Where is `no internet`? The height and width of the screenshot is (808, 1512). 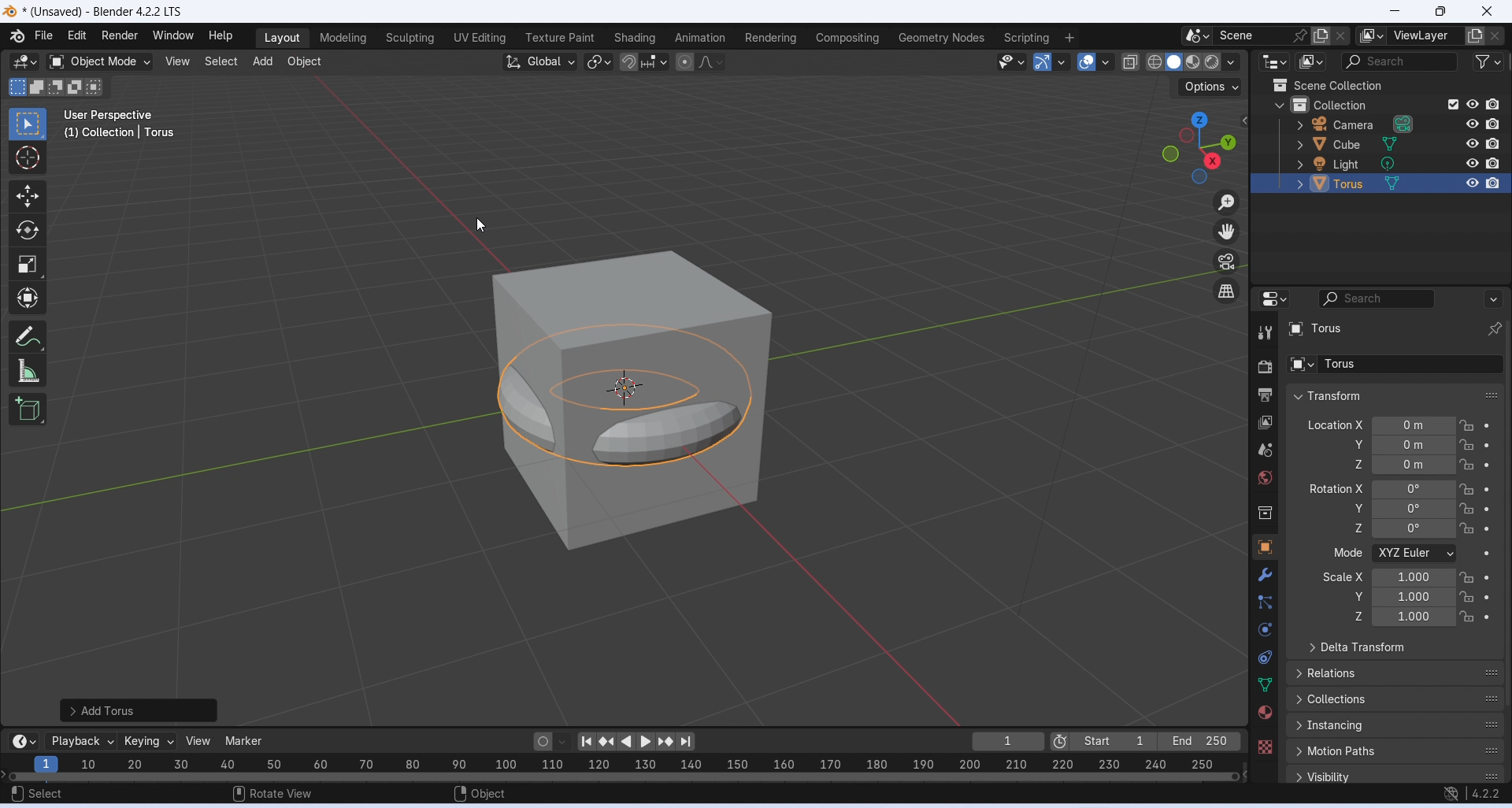 no internet is located at coordinates (1452, 795).